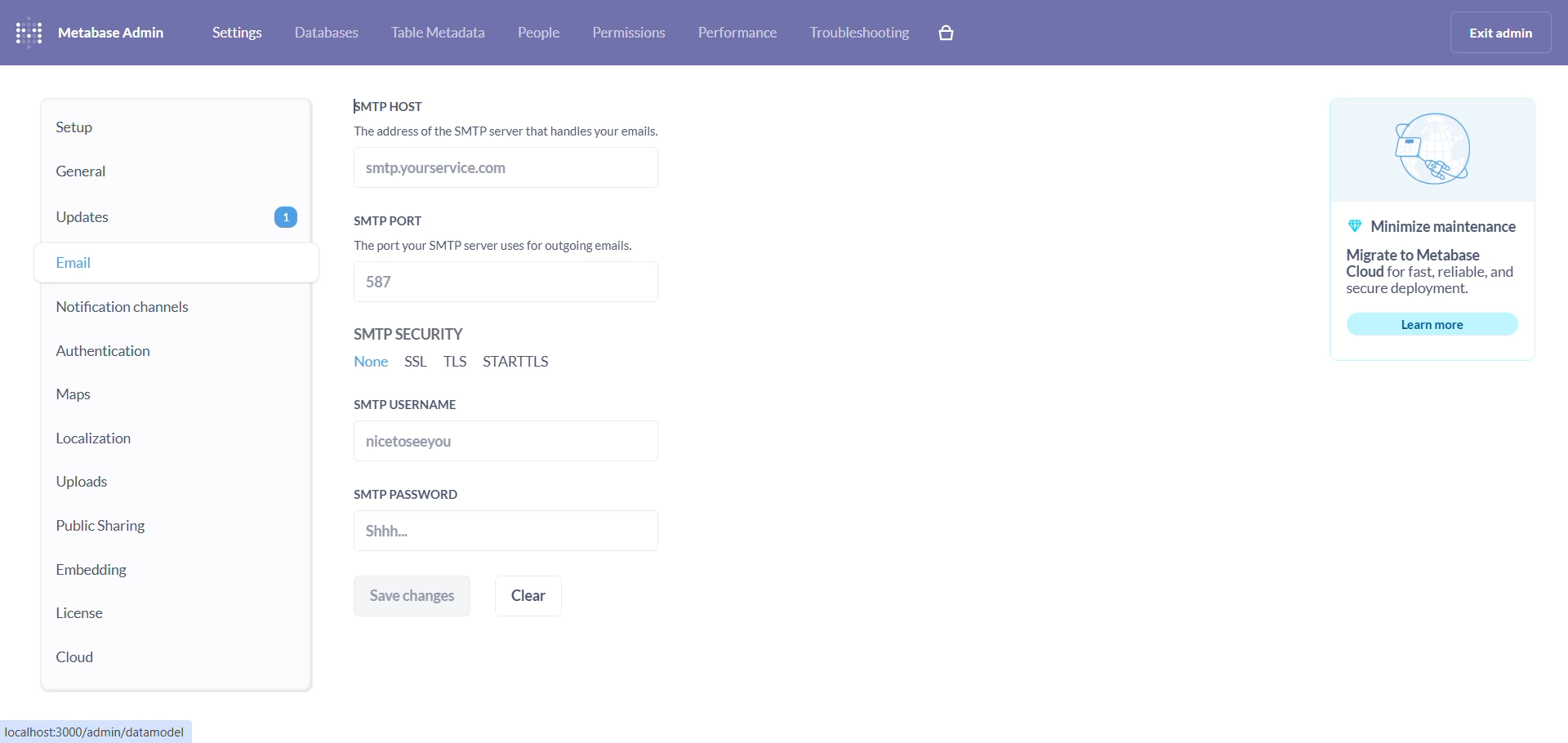  Describe the element at coordinates (411, 595) in the screenshot. I see `save changes button` at that location.